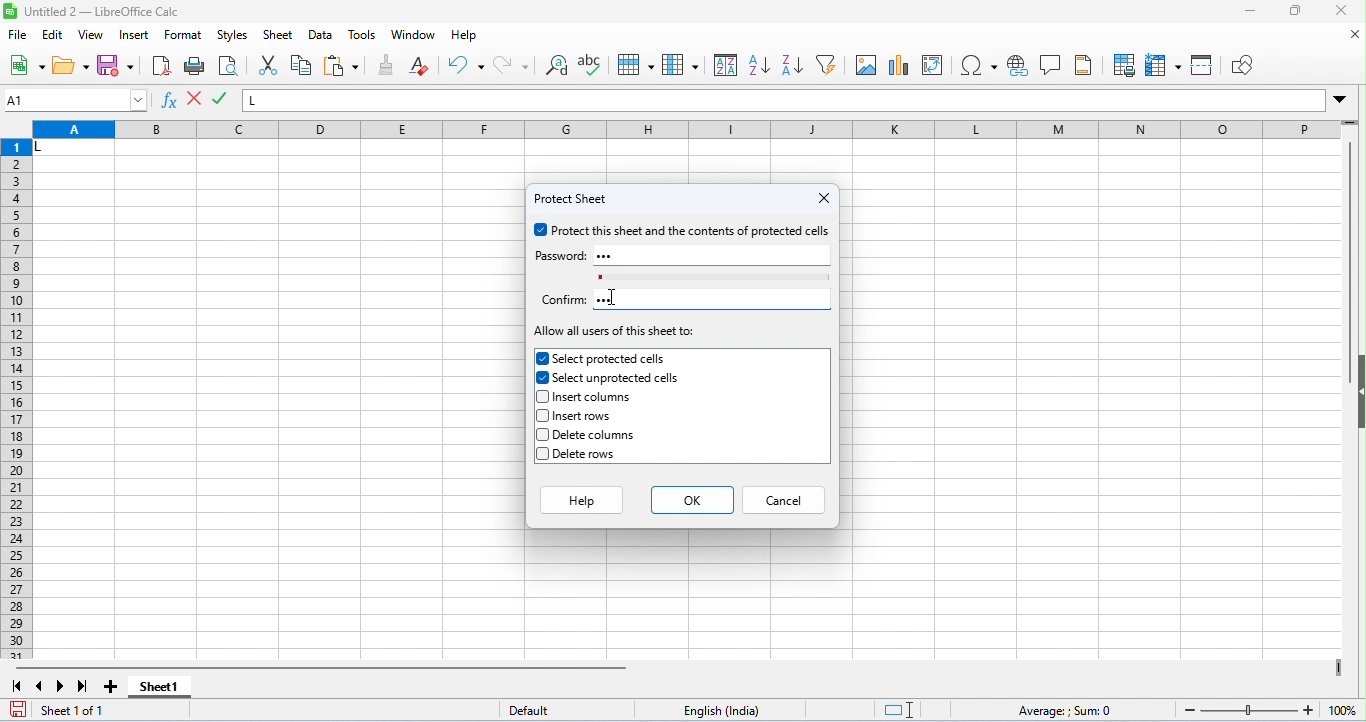 This screenshot has width=1366, height=722. Describe the element at coordinates (559, 256) in the screenshot. I see `password` at that location.